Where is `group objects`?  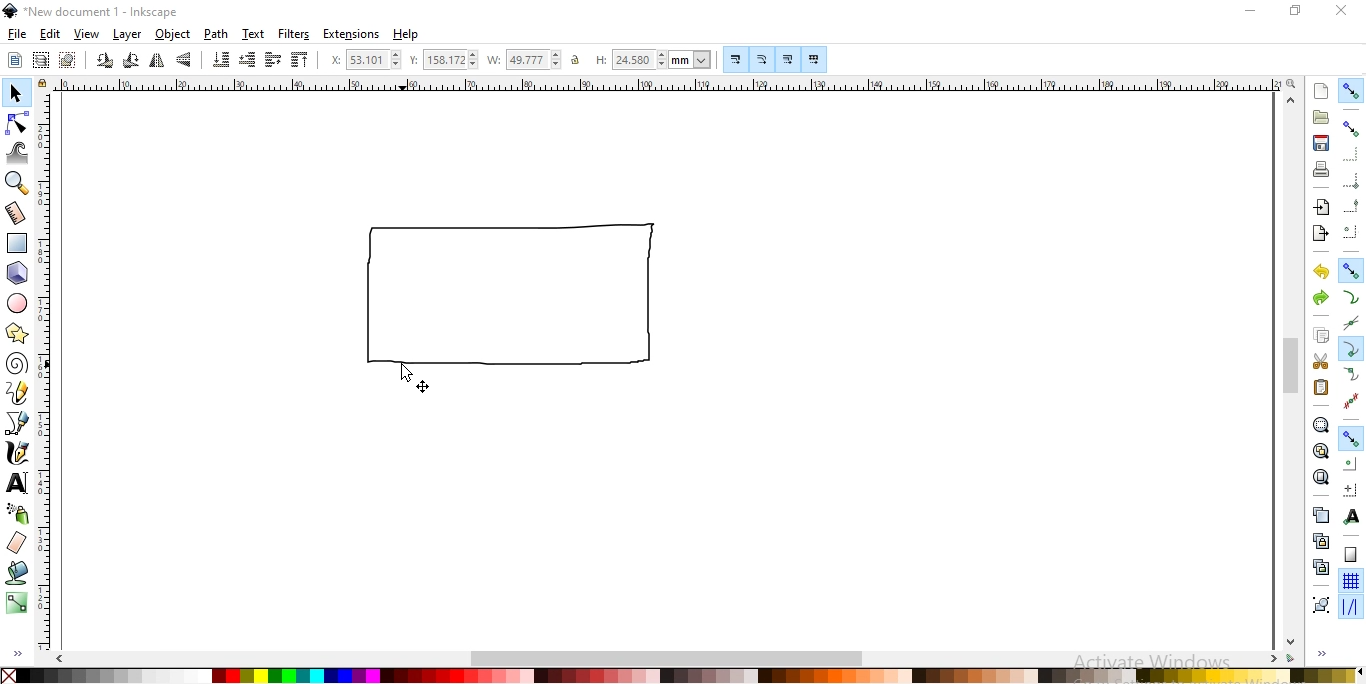 group objects is located at coordinates (1321, 604).